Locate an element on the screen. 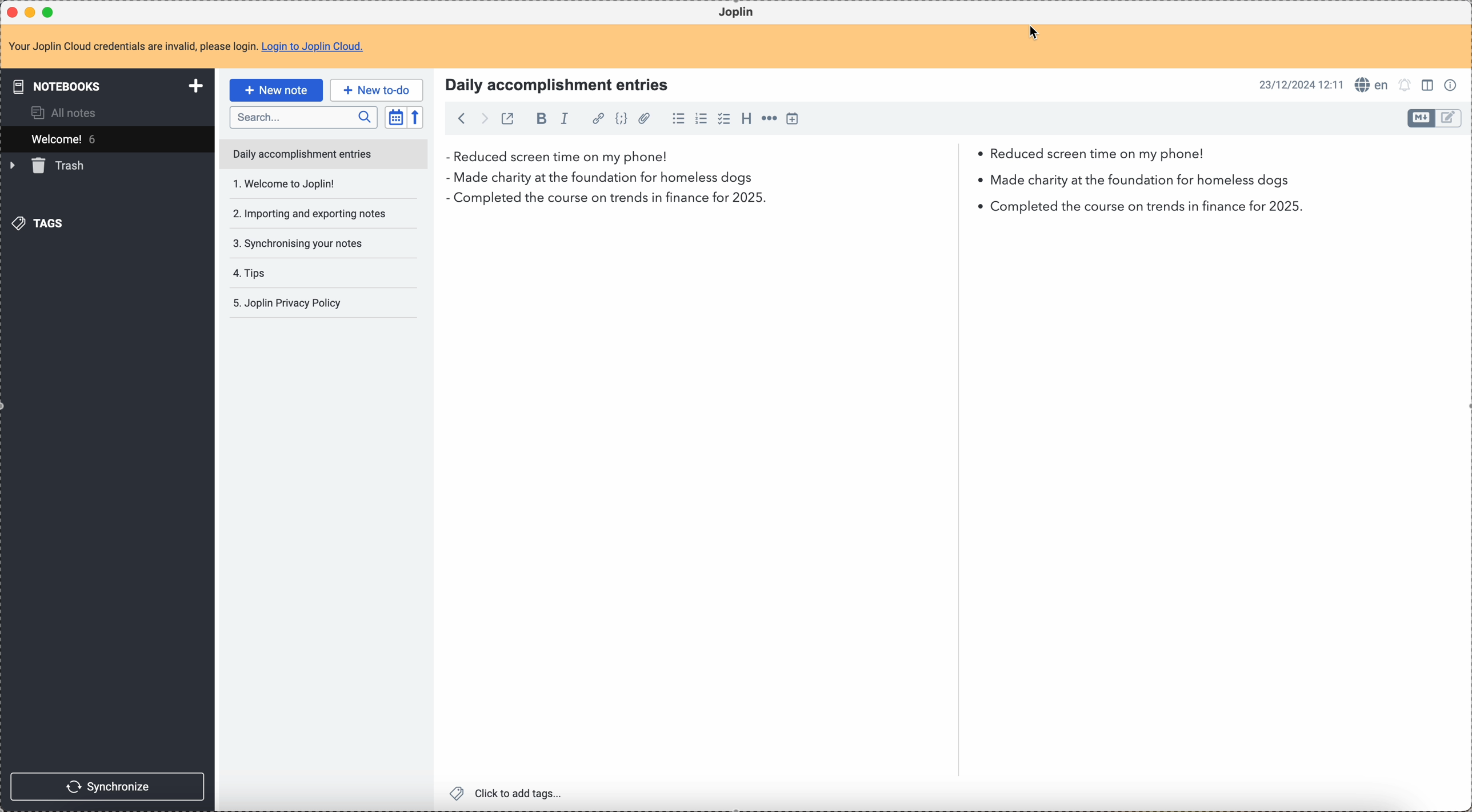  insert time is located at coordinates (792, 119).